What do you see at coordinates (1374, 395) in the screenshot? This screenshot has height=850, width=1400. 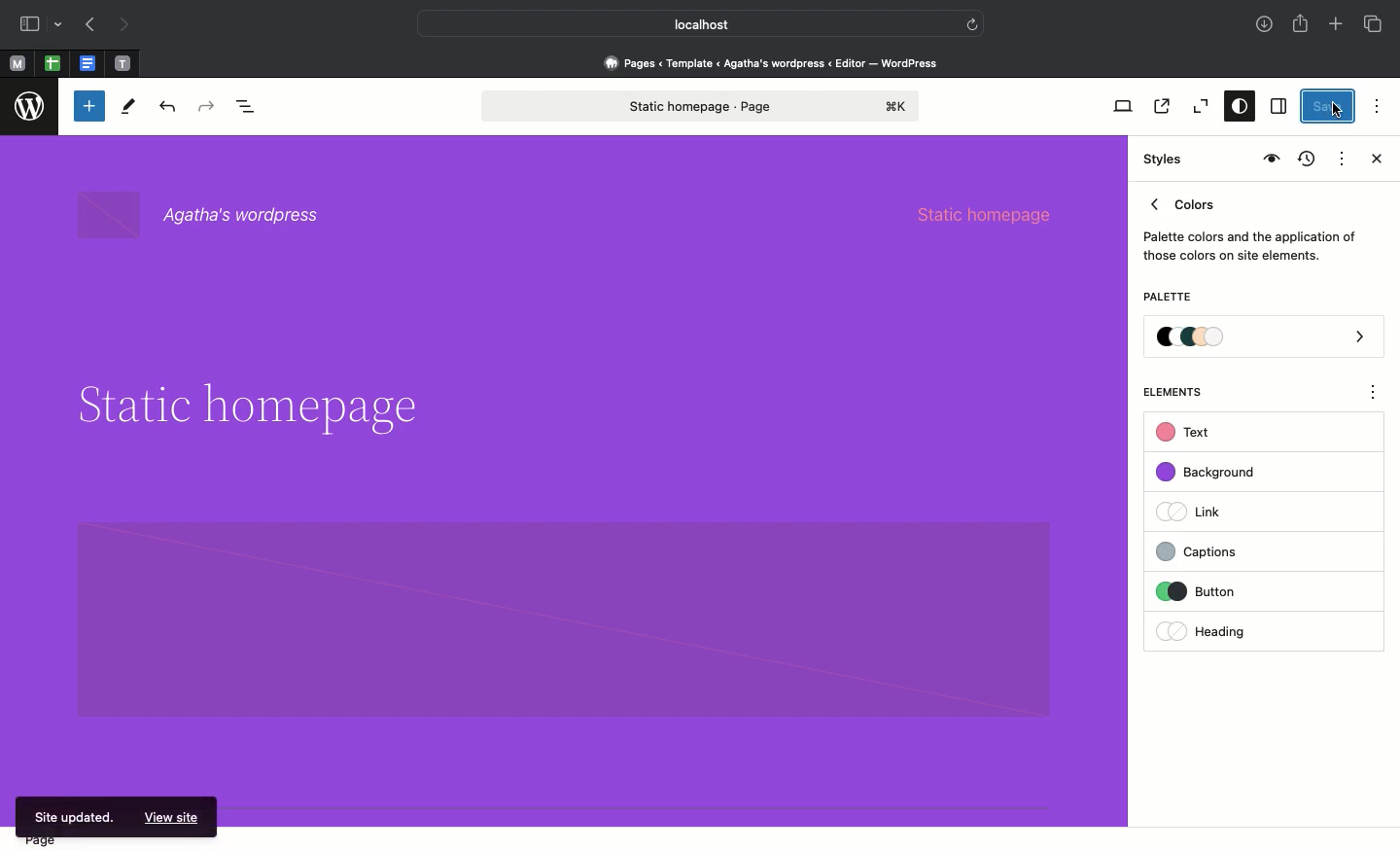 I see `options` at bounding box center [1374, 395].